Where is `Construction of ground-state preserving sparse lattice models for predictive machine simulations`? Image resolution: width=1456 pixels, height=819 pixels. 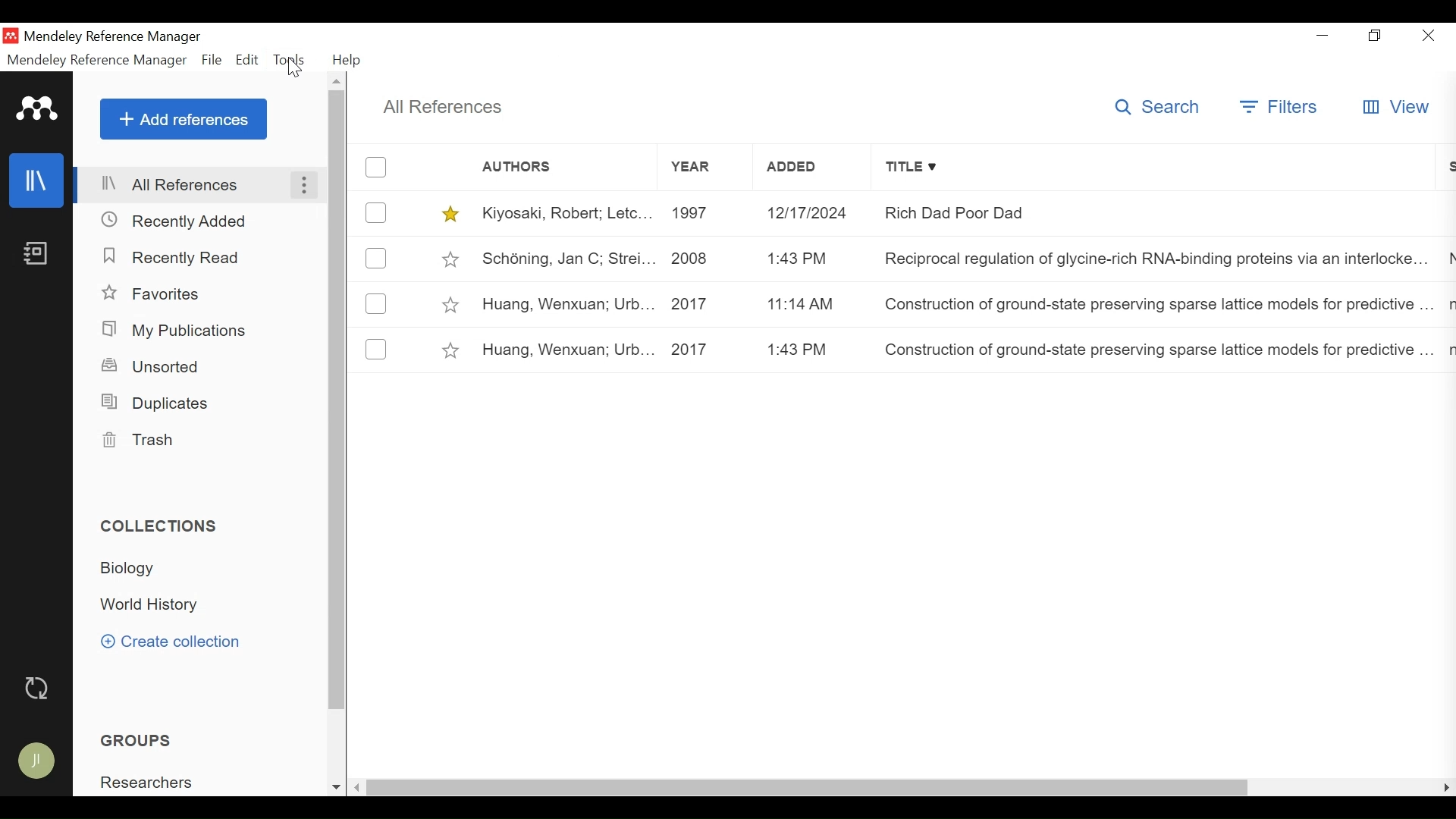 Construction of ground-state preserving sparse lattice models for predictive machine simulations is located at coordinates (1156, 307).